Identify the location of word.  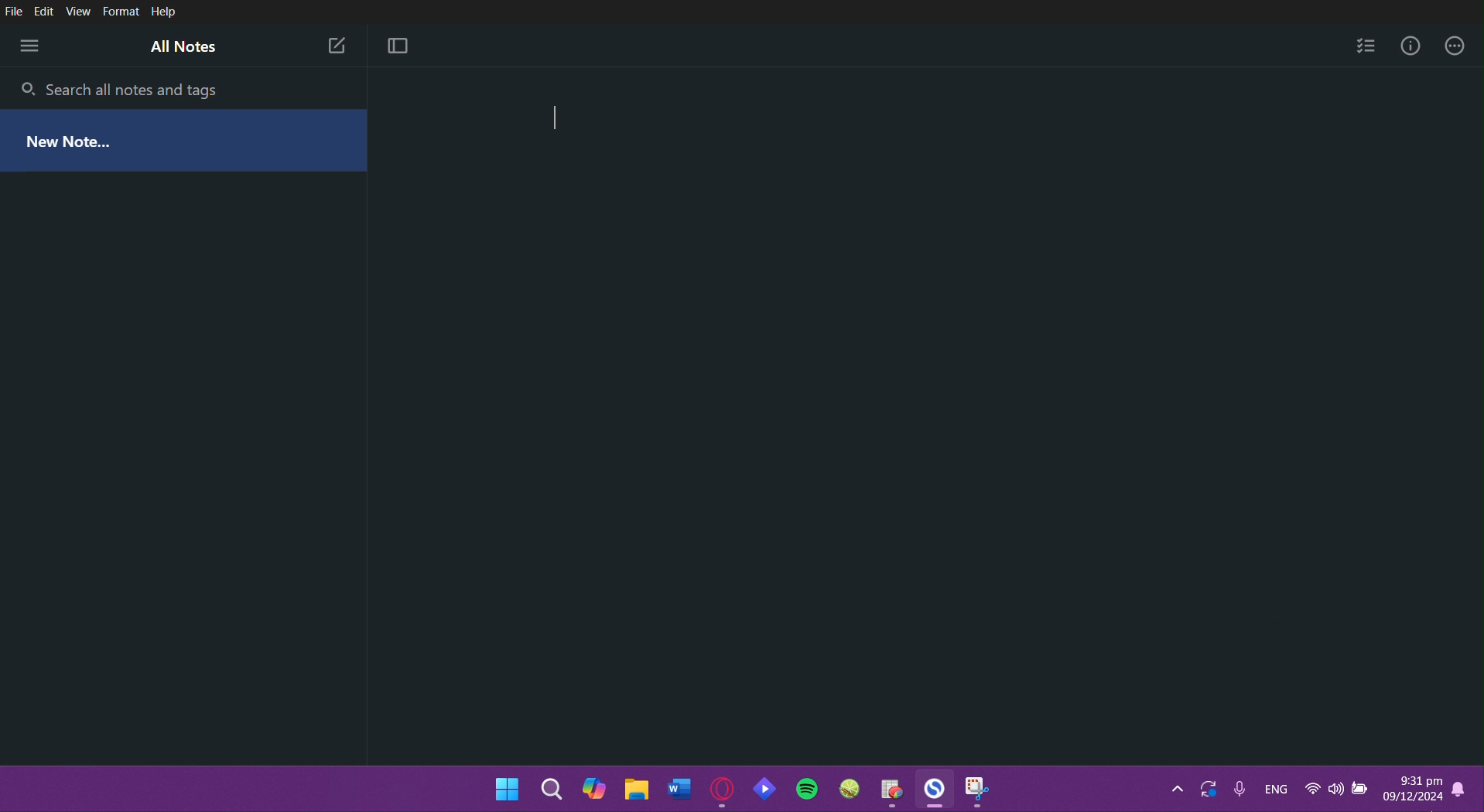
(680, 790).